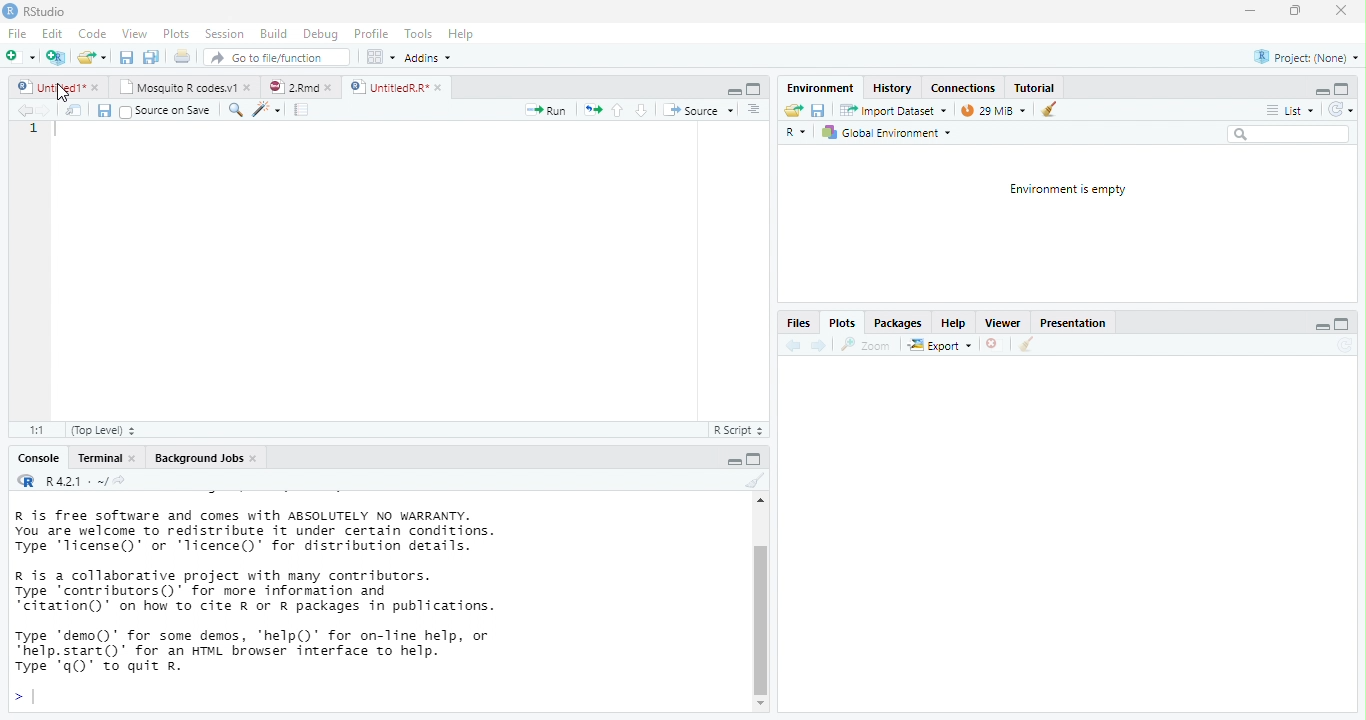 This screenshot has width=1366, height=720. I want to click on search, so click(1288, 134).